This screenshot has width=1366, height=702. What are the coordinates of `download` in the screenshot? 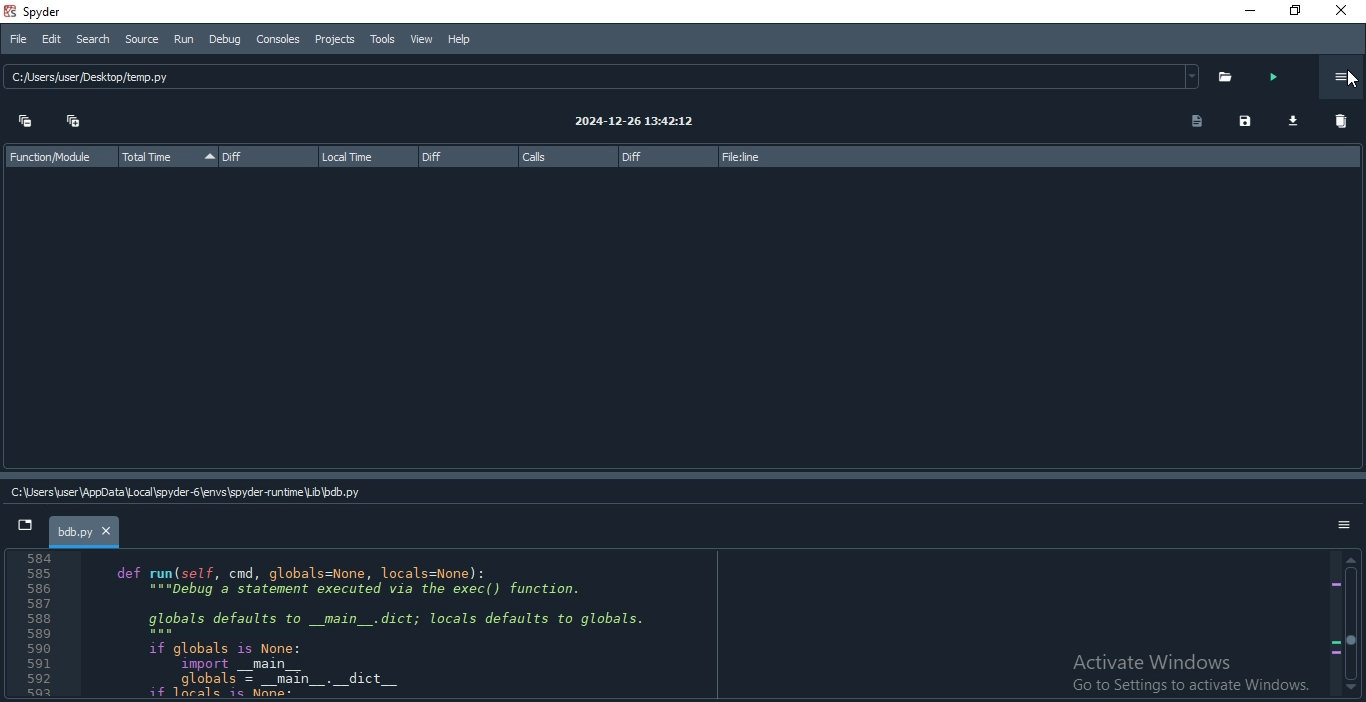 It's located at (1289, 119).